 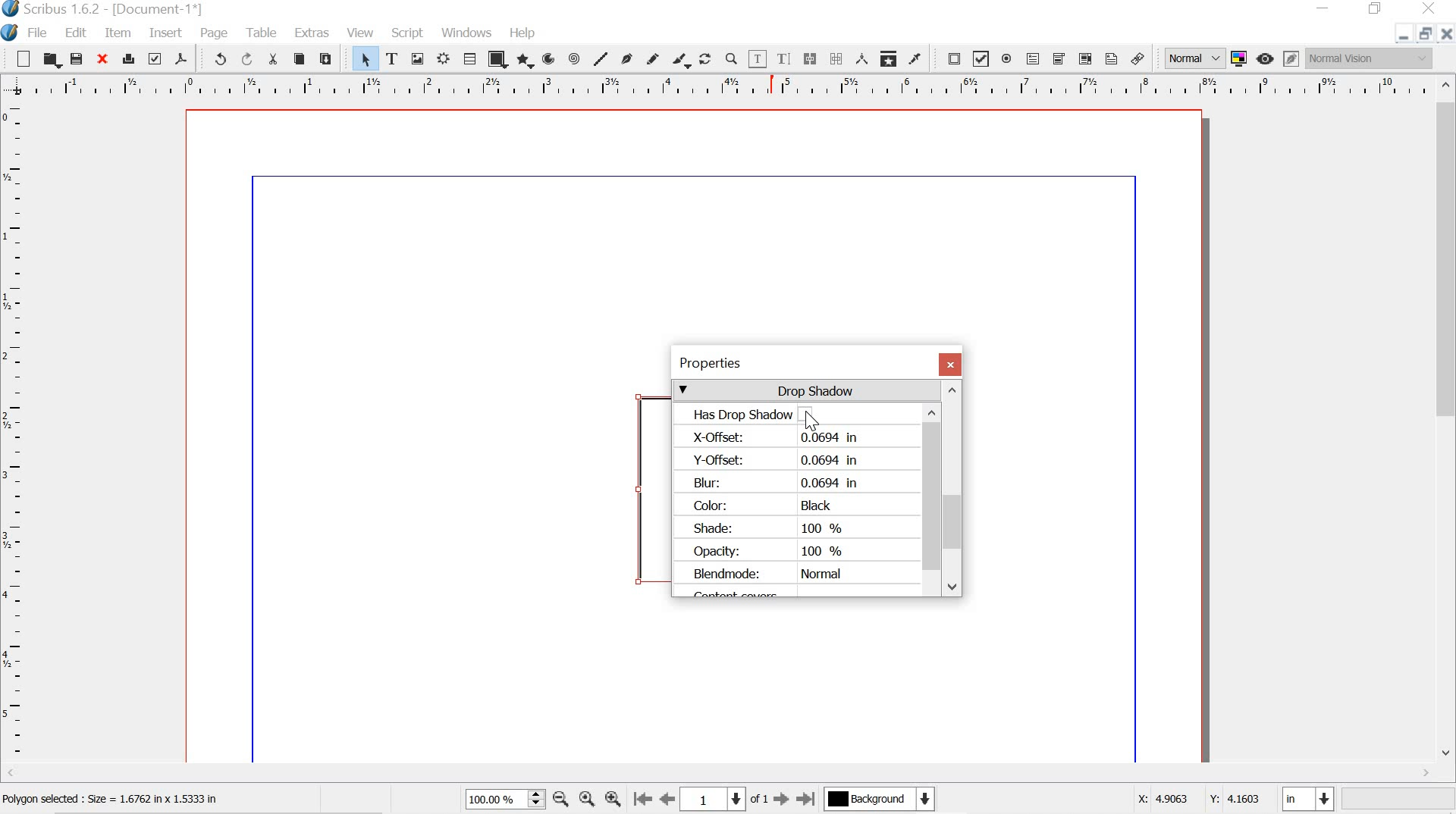 I want to click on ruler, so click(x=720, y=86).